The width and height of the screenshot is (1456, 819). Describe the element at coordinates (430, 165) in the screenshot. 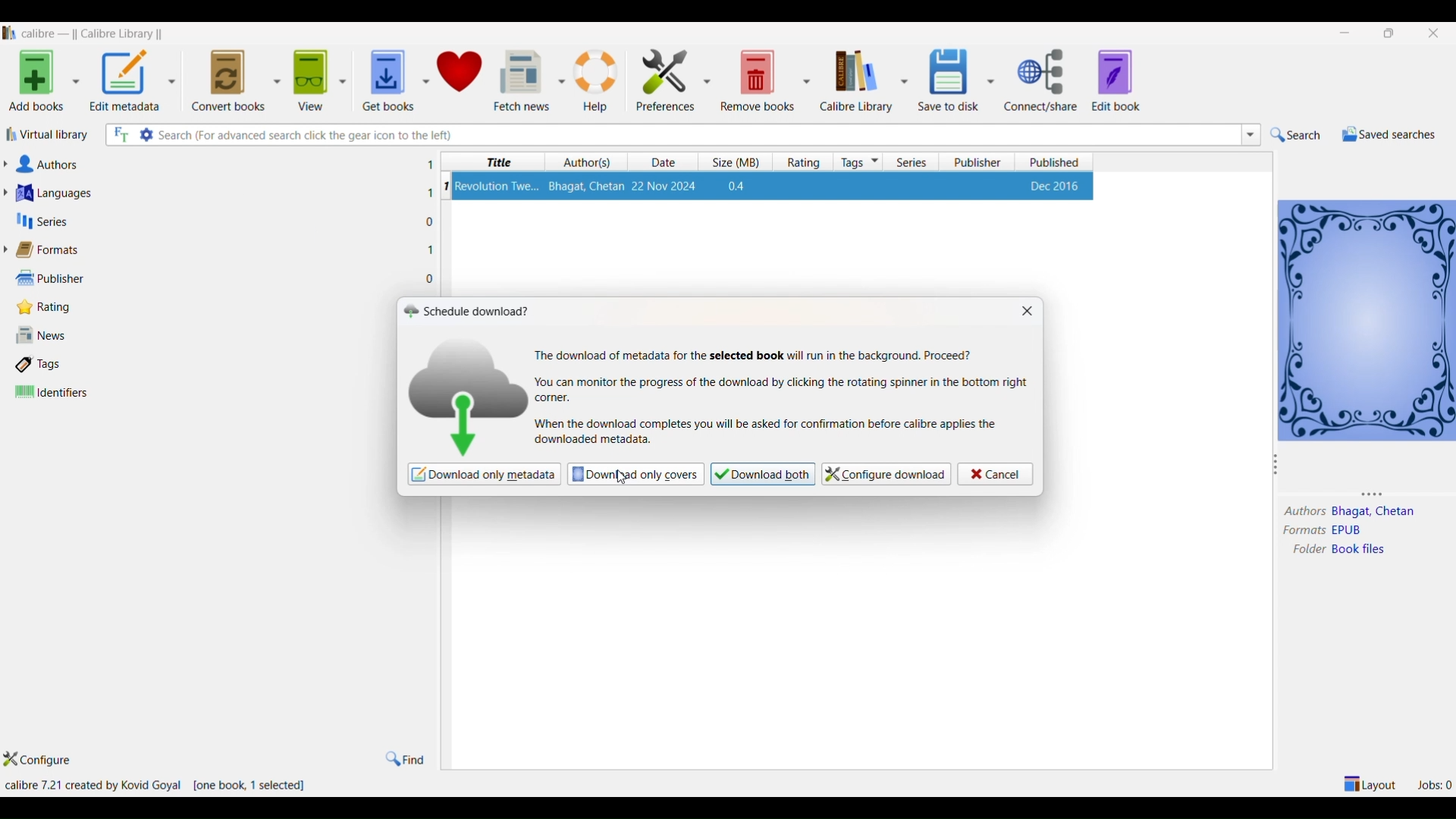

I see `1` at that location.